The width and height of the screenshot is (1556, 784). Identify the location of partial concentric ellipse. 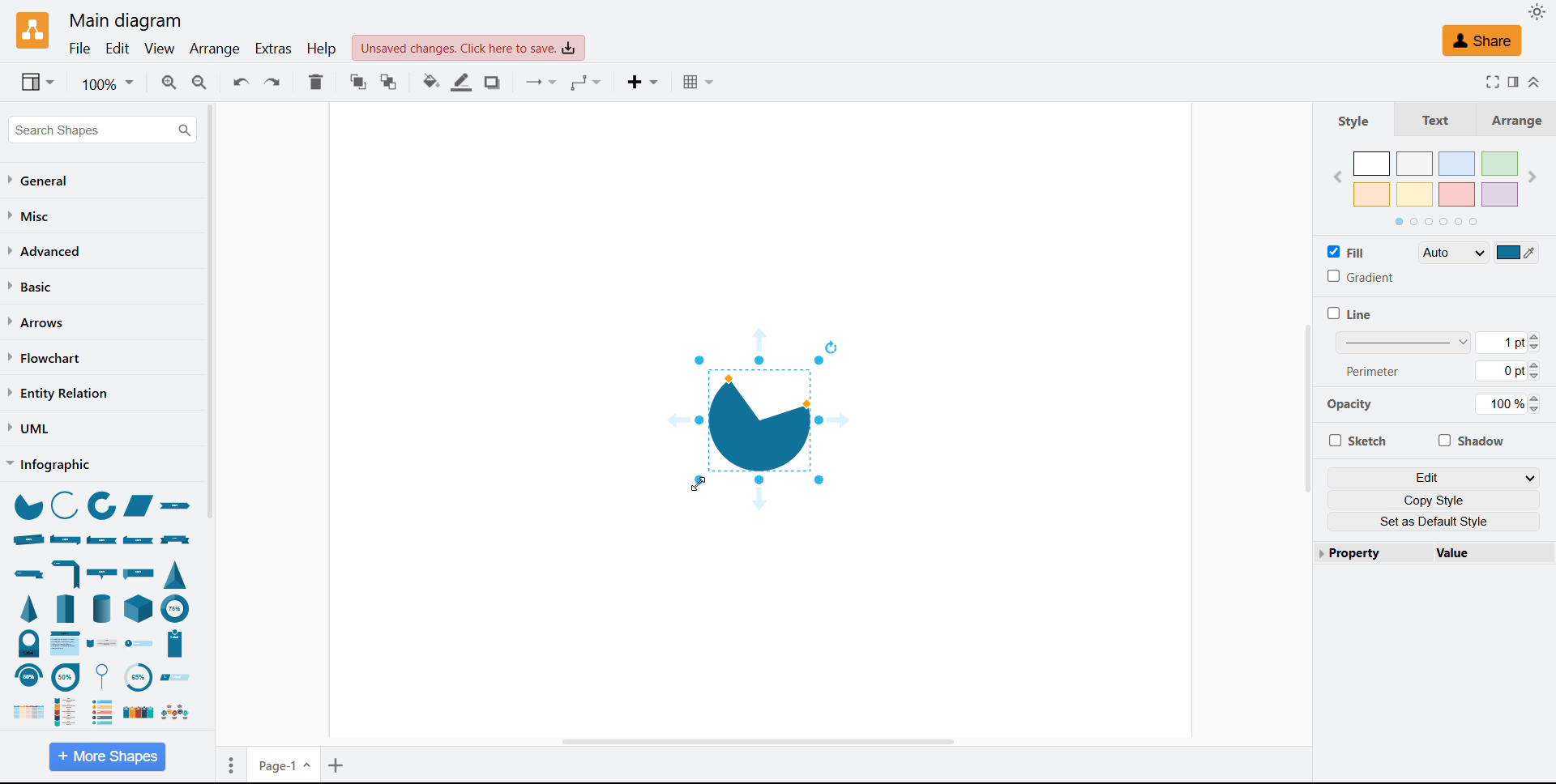
(176, 607).